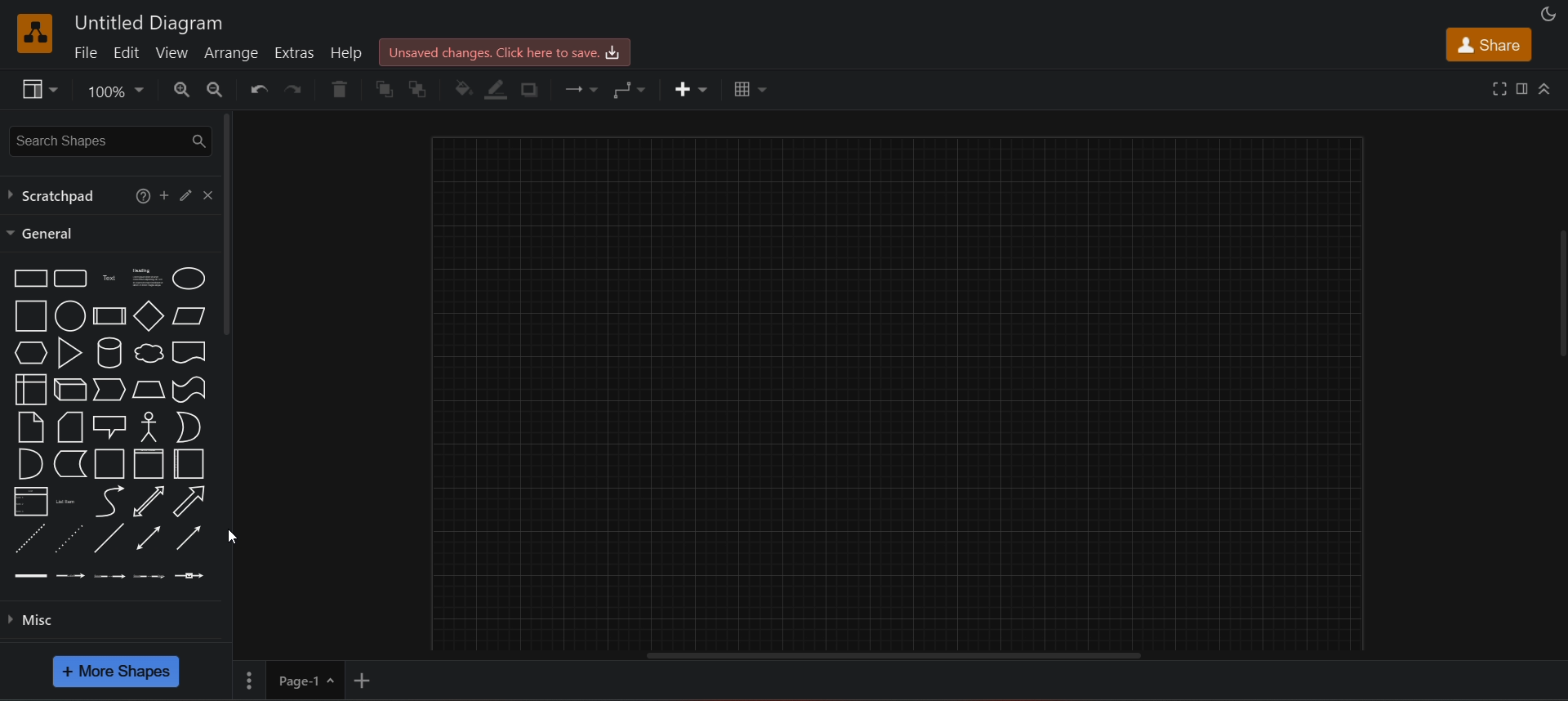  What do you see at coordinates (417, 88) in the screenshot?
I see `to back` at bounding box center [417, 88].